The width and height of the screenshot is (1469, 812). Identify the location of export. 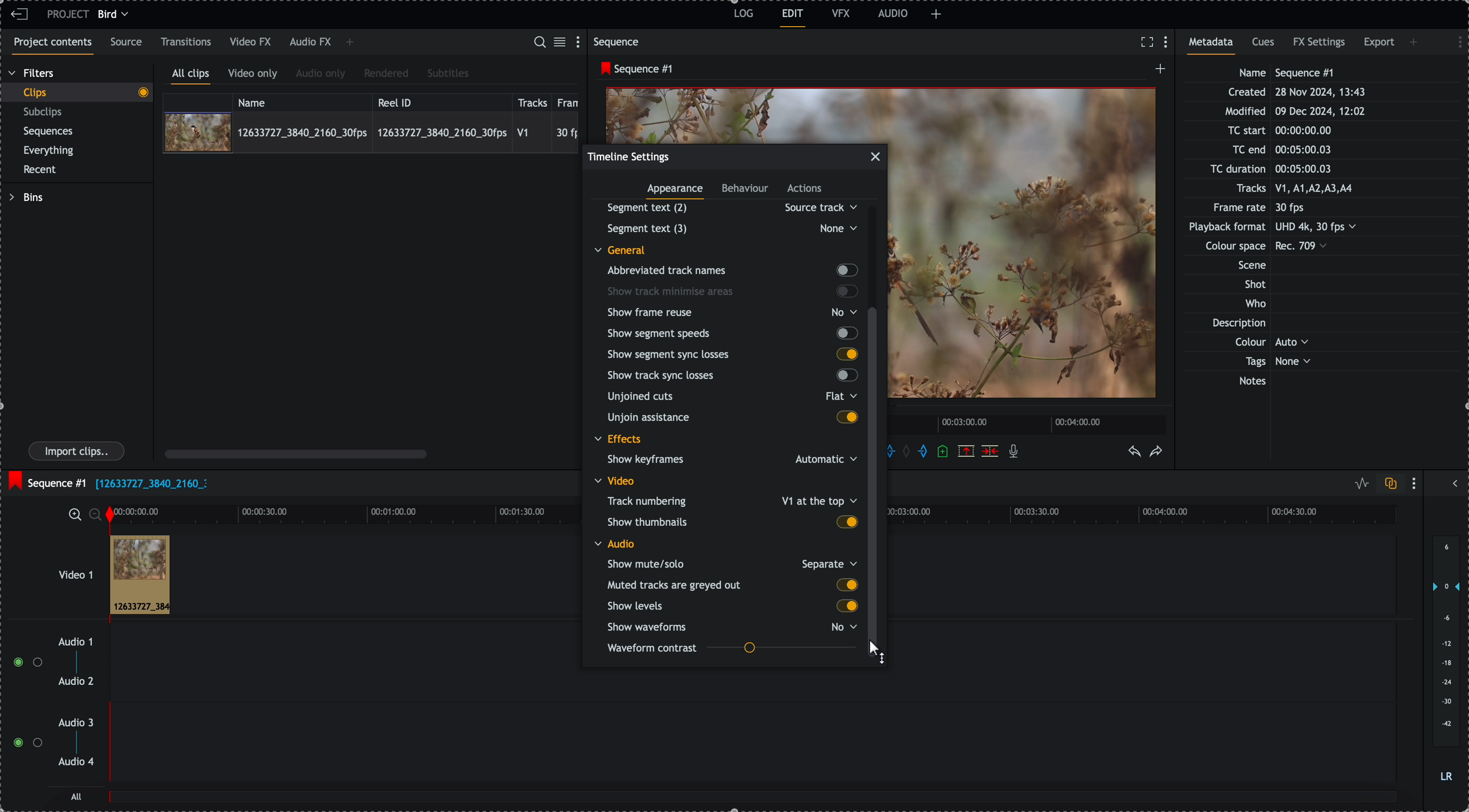
(1379, 44).